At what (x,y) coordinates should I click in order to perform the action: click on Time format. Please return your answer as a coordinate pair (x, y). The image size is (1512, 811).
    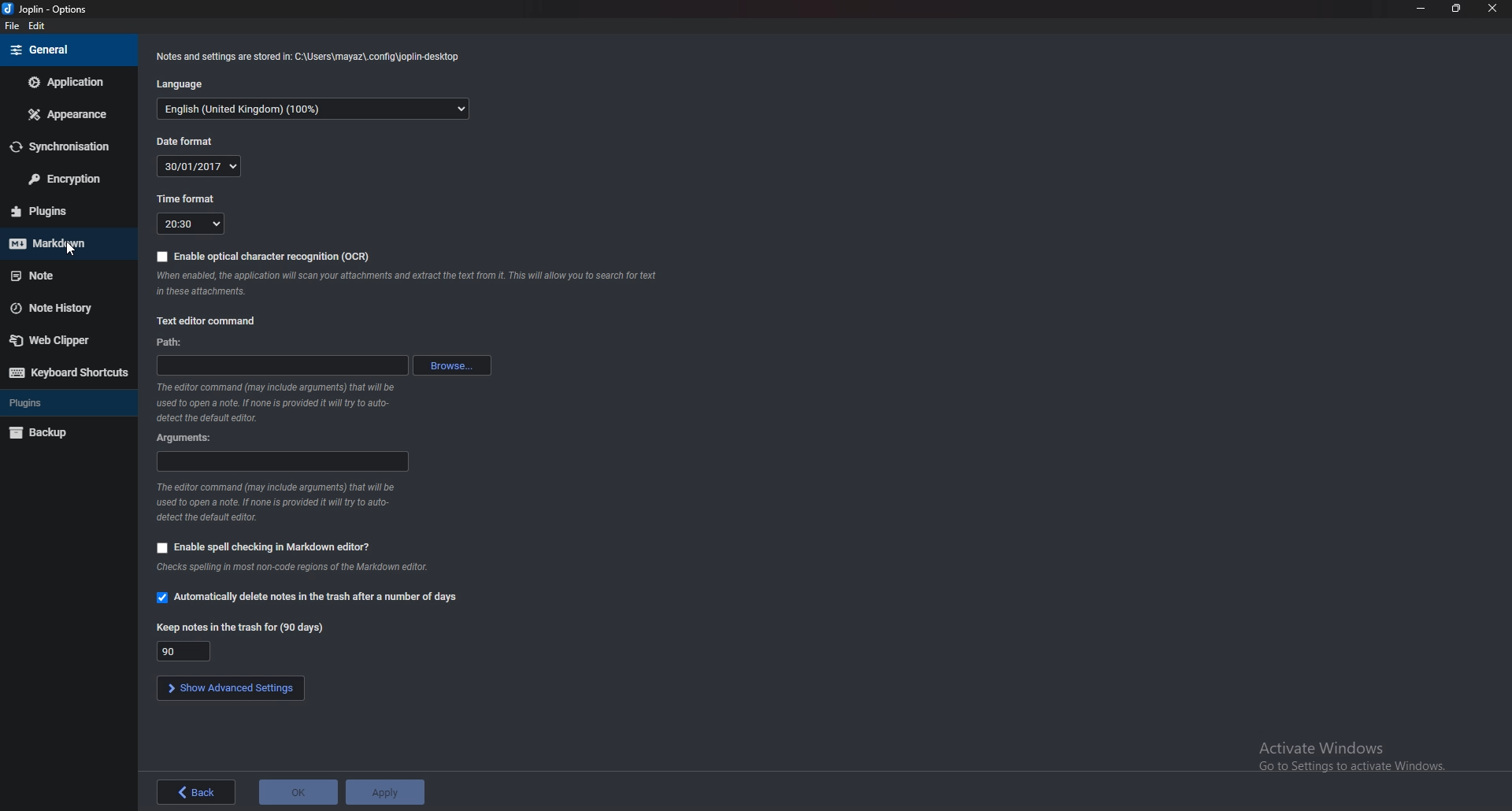
    Looking at the image, I should click on (192, 224).